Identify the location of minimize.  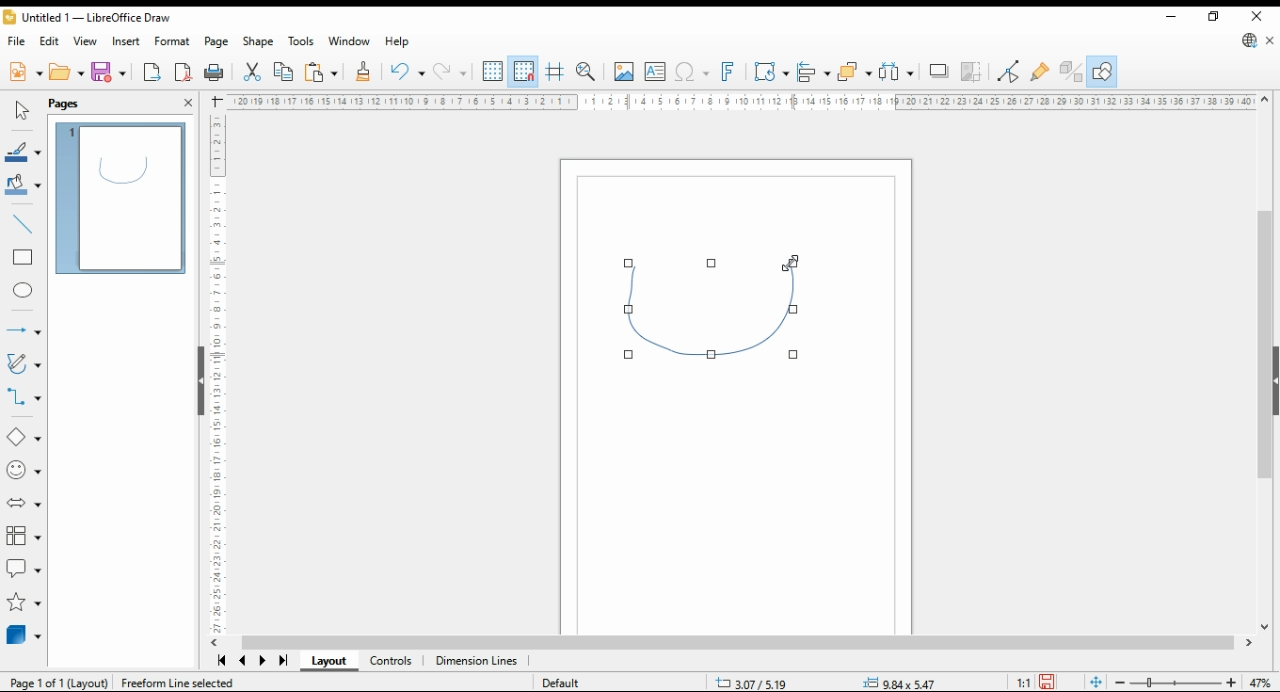
(1170, 15).